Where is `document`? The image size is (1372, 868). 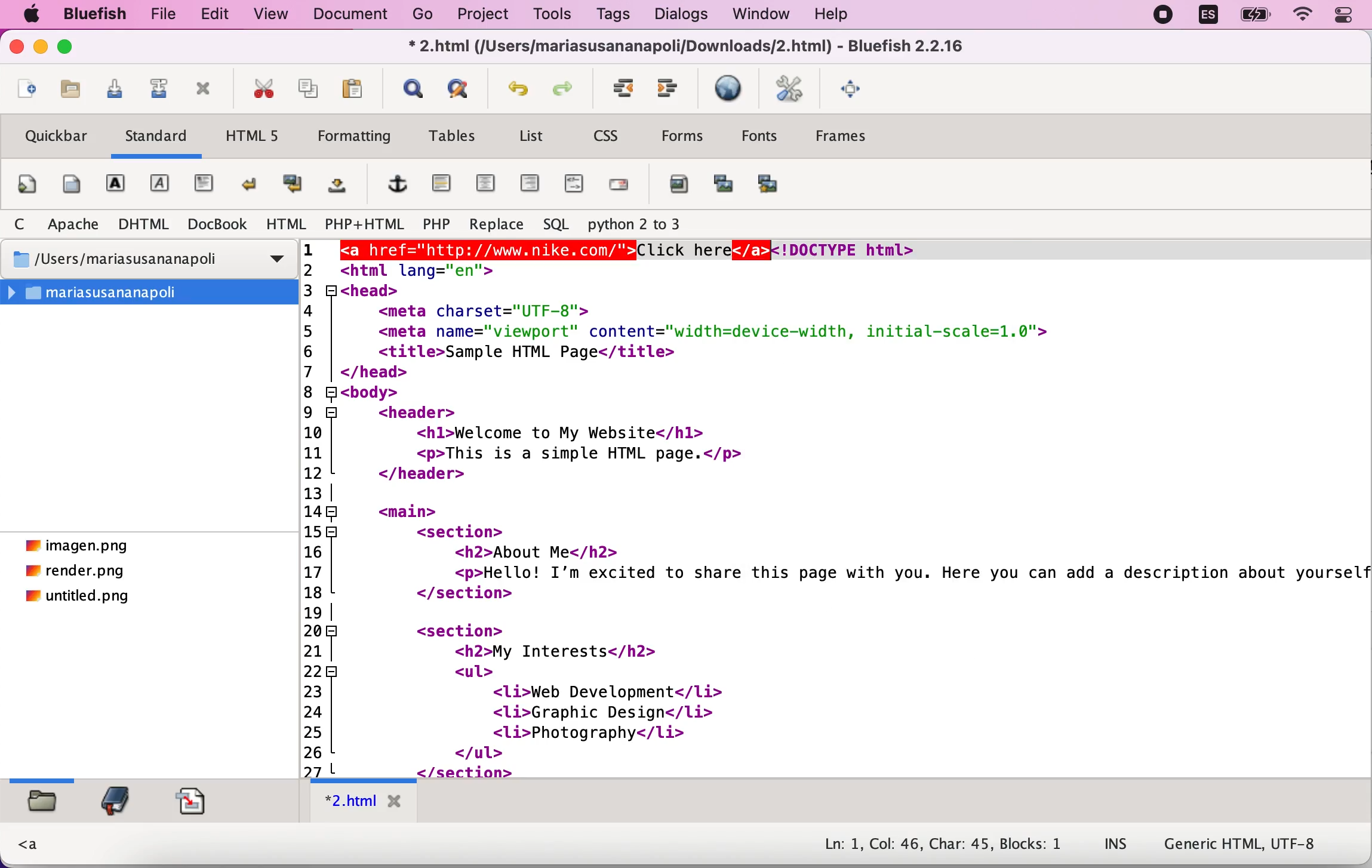 document is located at coordinates (352, 17).